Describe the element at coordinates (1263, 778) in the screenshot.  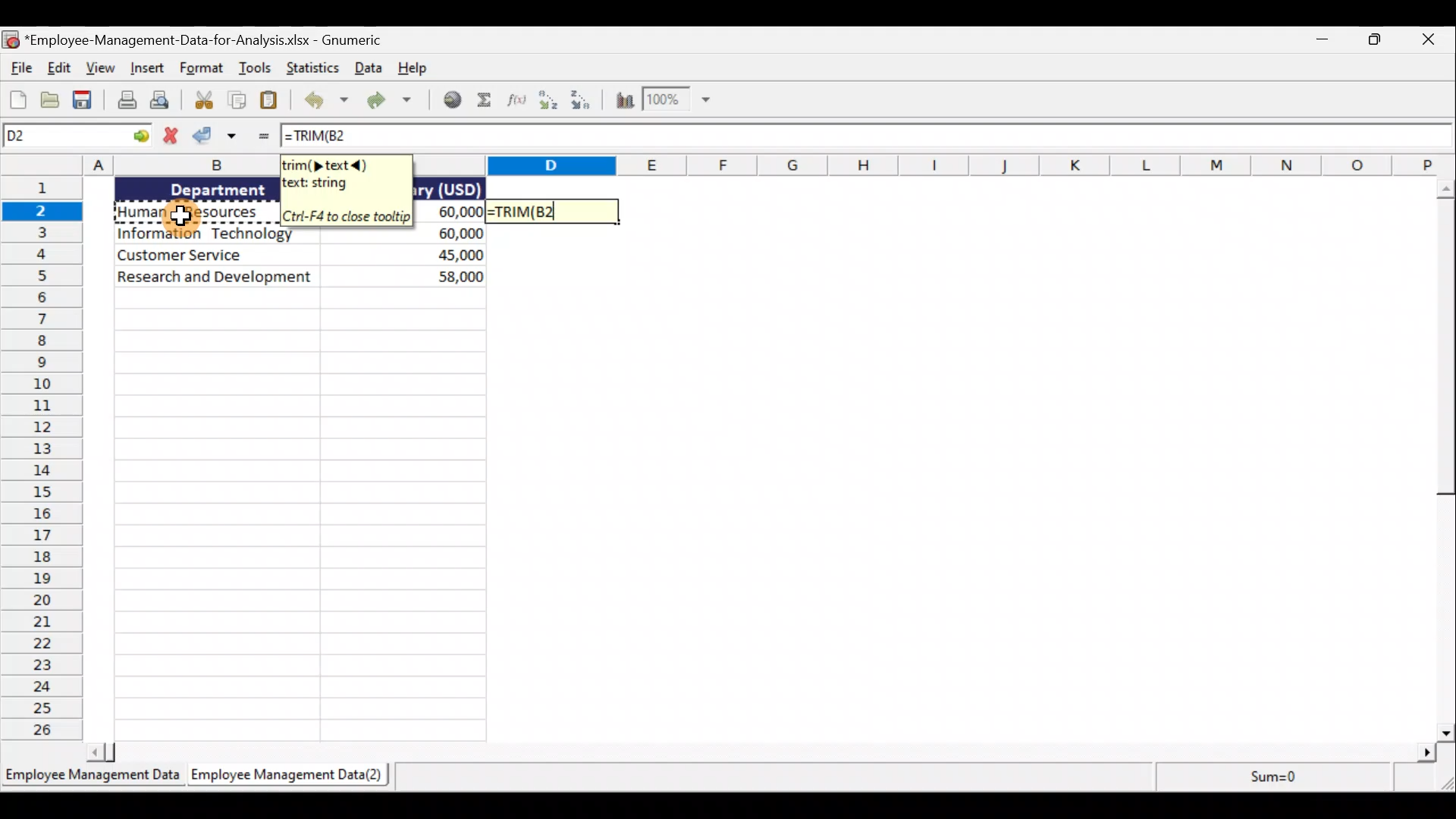
I see `sum=0` at that location.